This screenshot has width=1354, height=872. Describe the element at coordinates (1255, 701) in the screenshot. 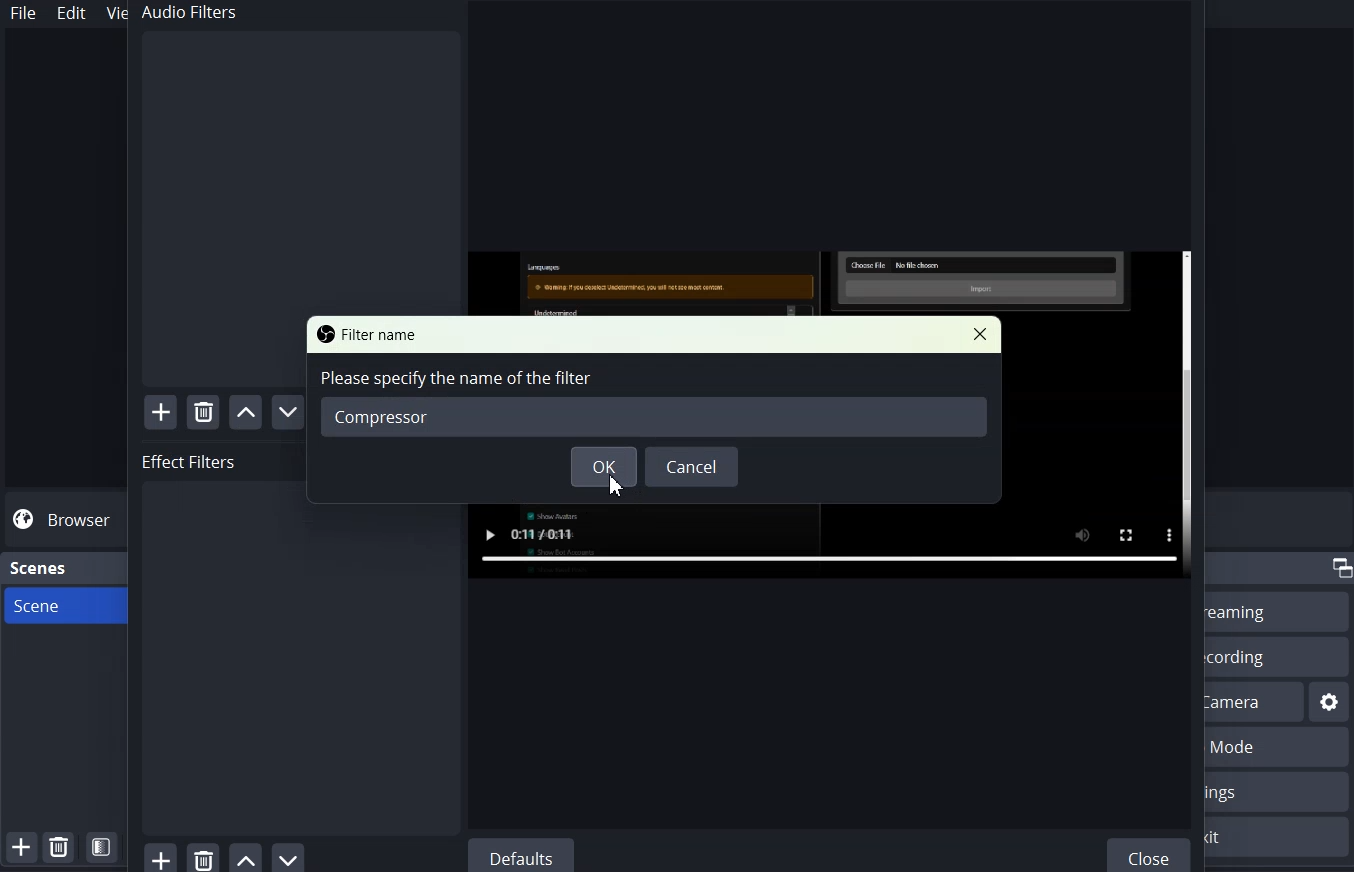

I see `Start Virtual Camera` at that location.